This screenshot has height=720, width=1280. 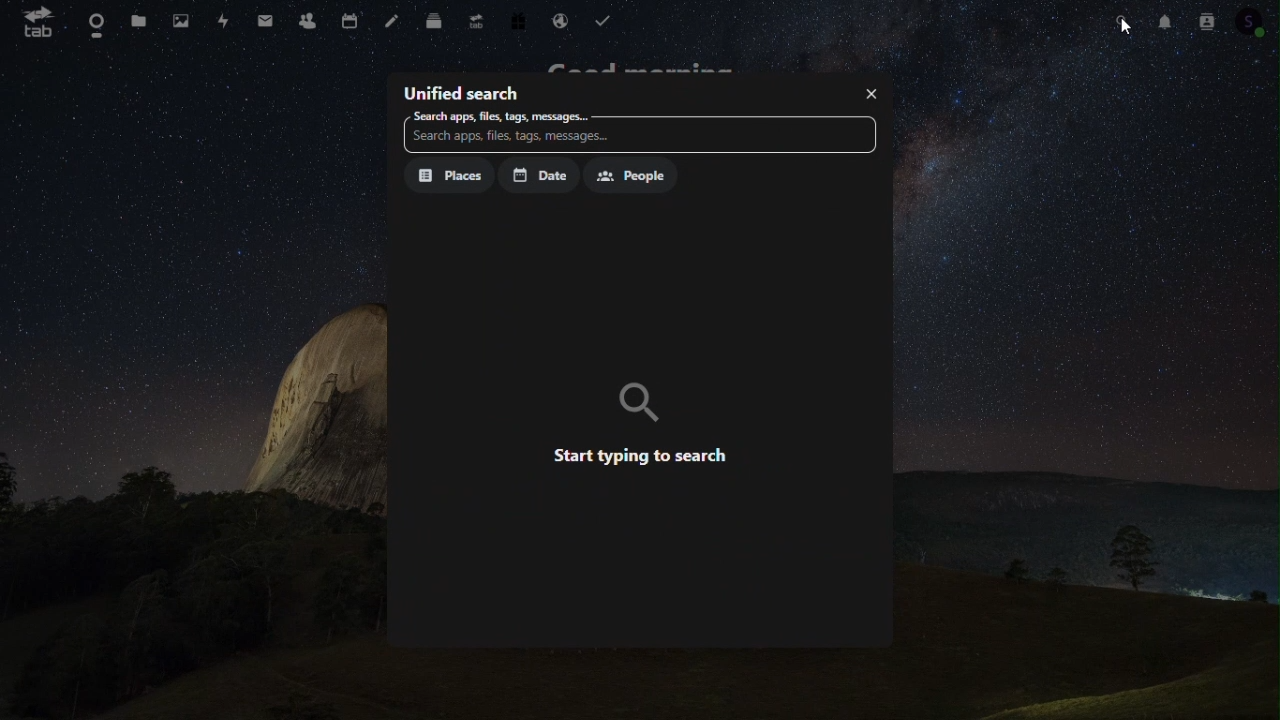 I want to click on Contacts, so click(x=1204, y=20).